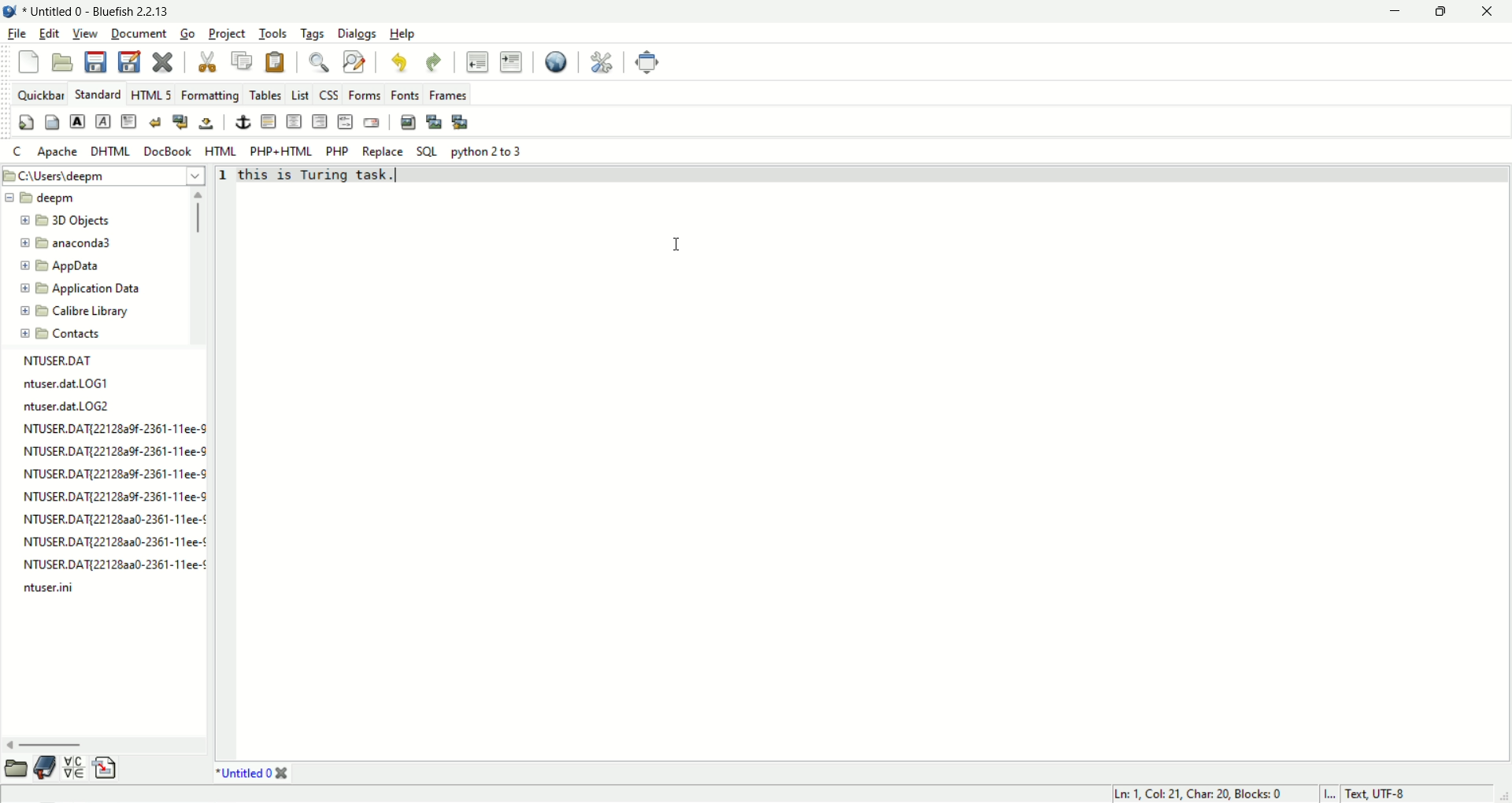  What do you see at coordinates (212, 97) in the screenshot?
I see `formatting` at bounding box center [212, 97].